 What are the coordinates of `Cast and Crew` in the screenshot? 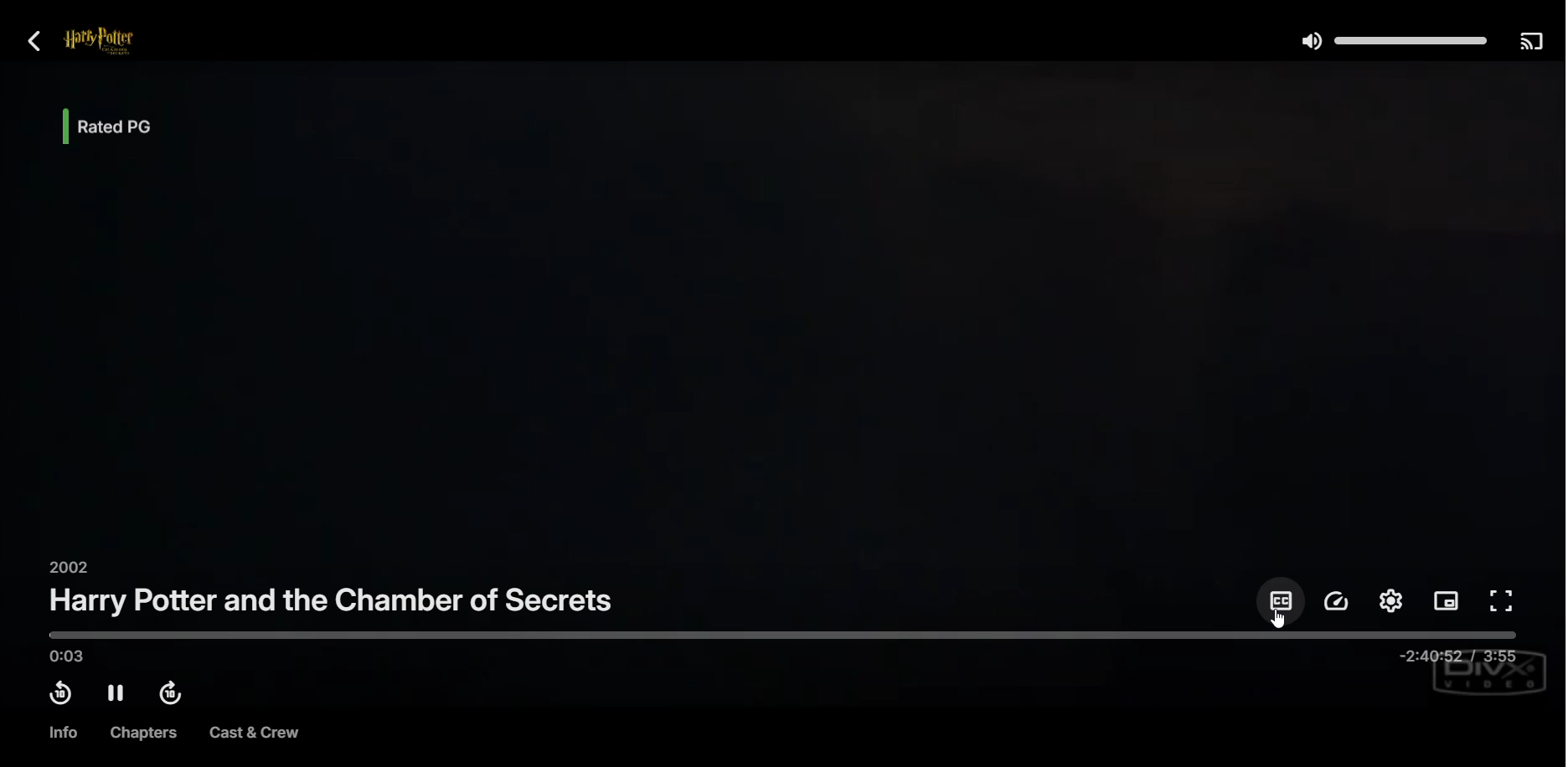 It's located at (254, 734).